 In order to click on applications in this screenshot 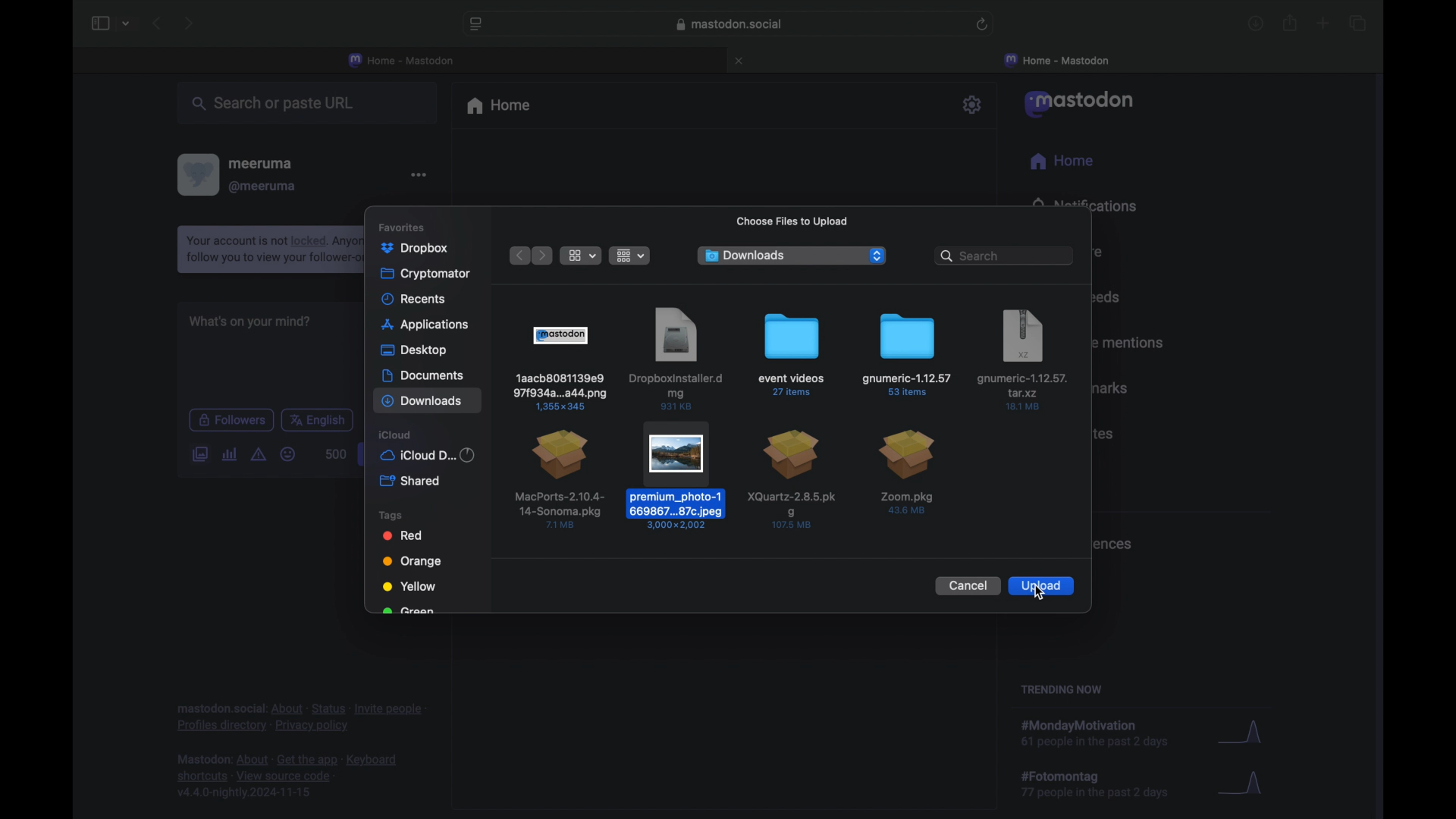, I will do `click(431, 323)`.